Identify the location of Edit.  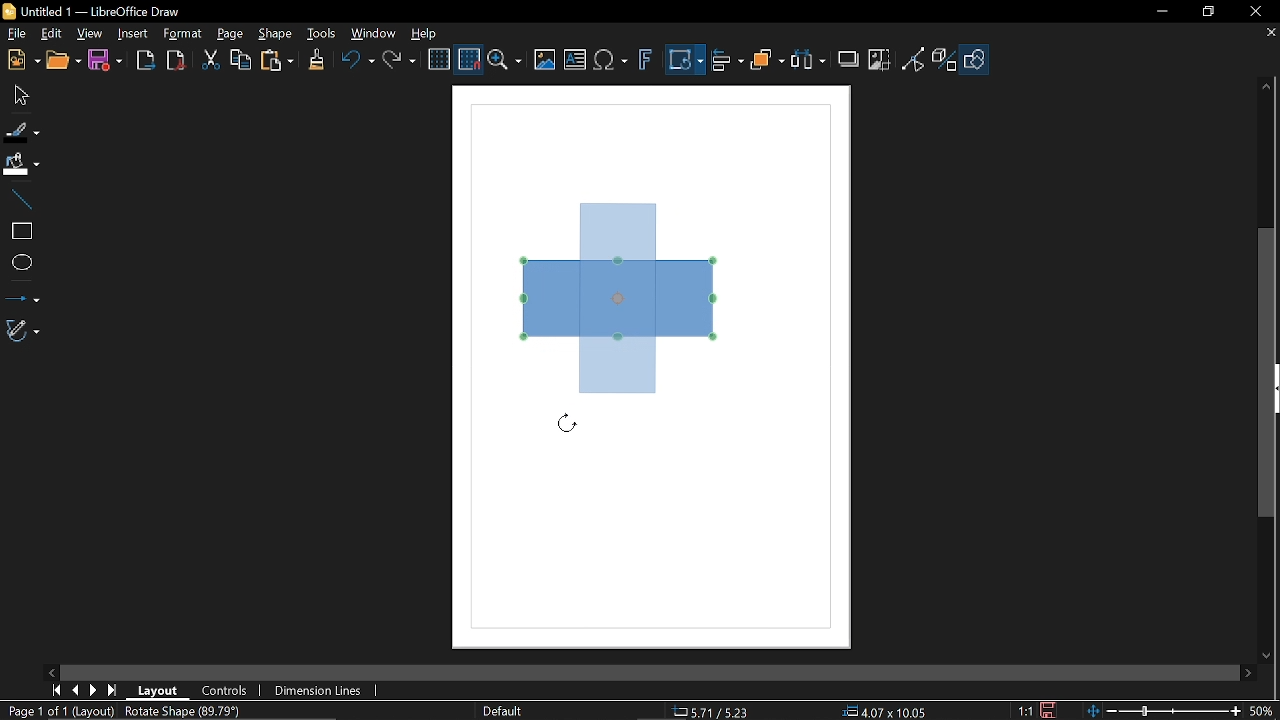
(50, 34).